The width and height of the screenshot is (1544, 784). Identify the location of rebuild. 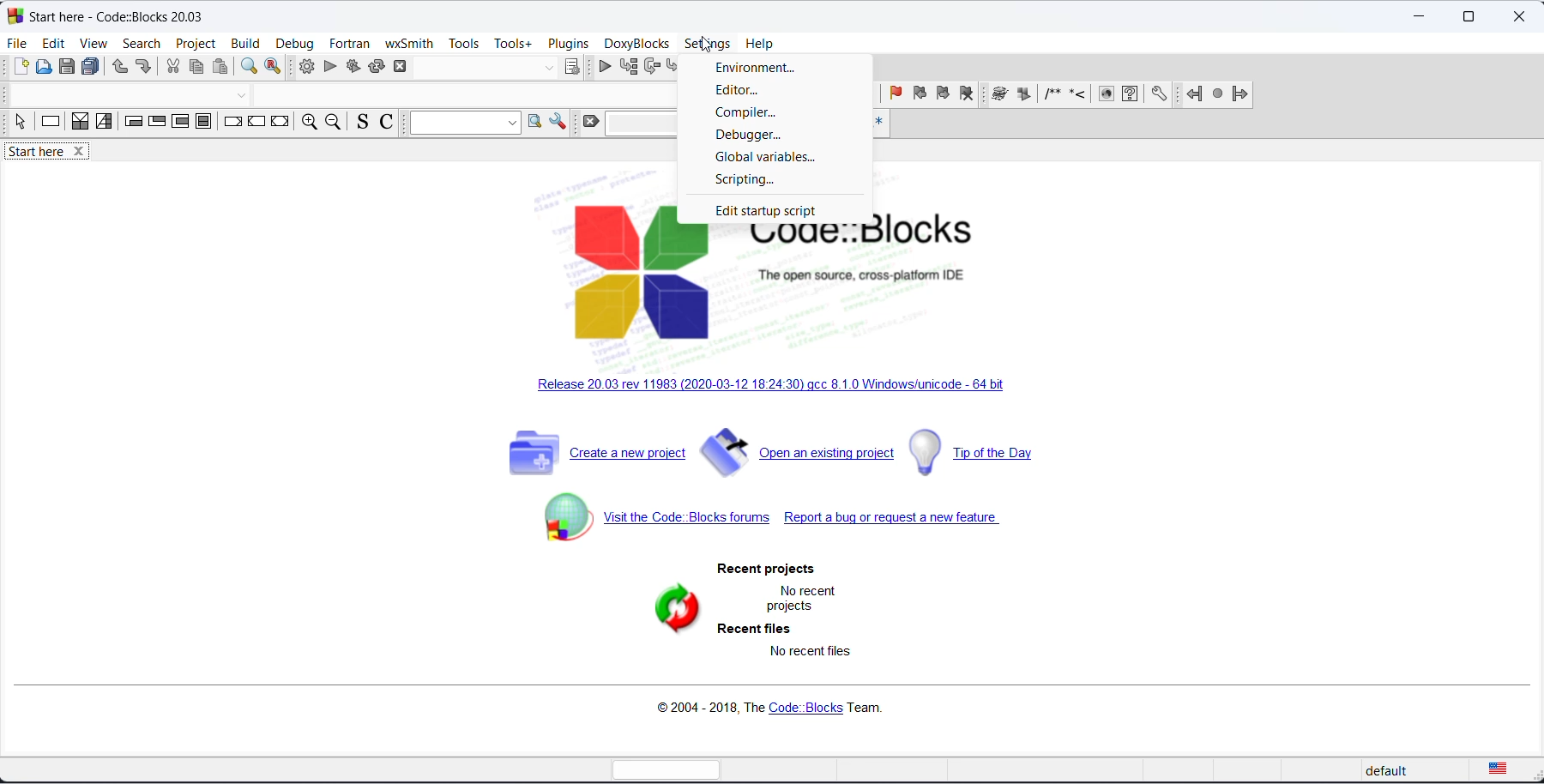
(376, 65).